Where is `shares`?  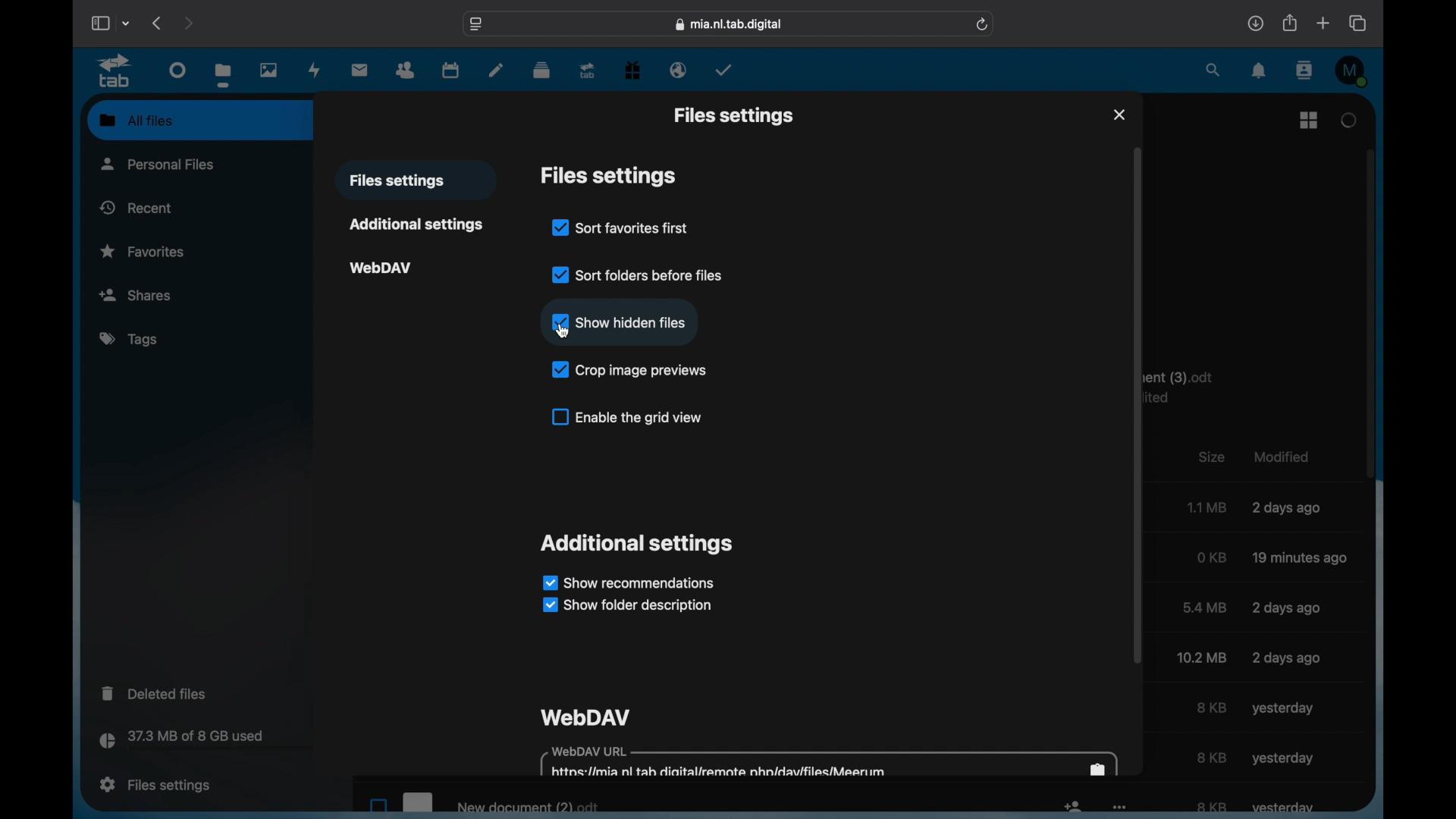
shares is located at coordinates (142, 295).